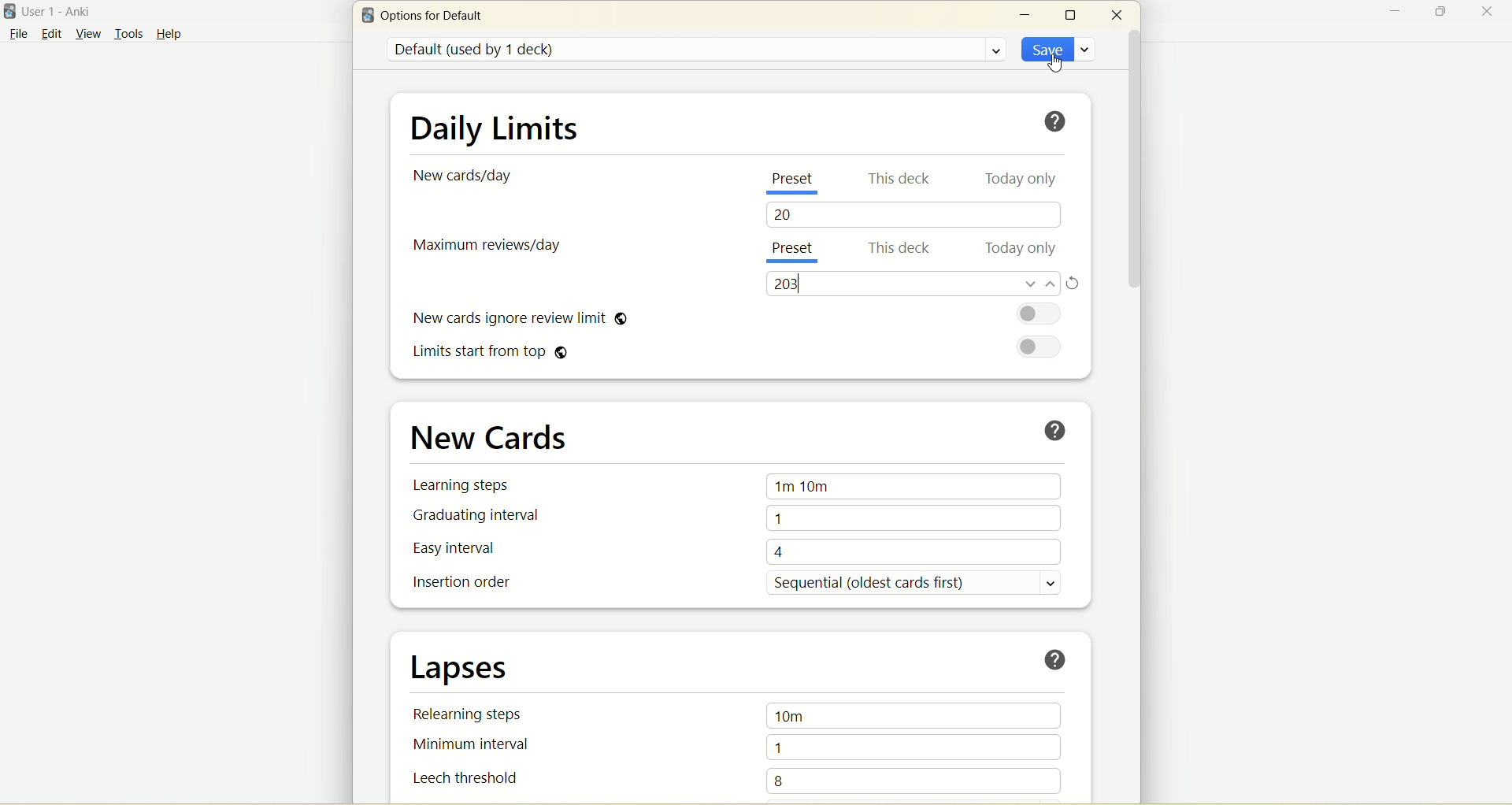  What do you see at coordinates (489, 351) in the screenshot?
I see `limits start from top` at bounding box center [489, 351].